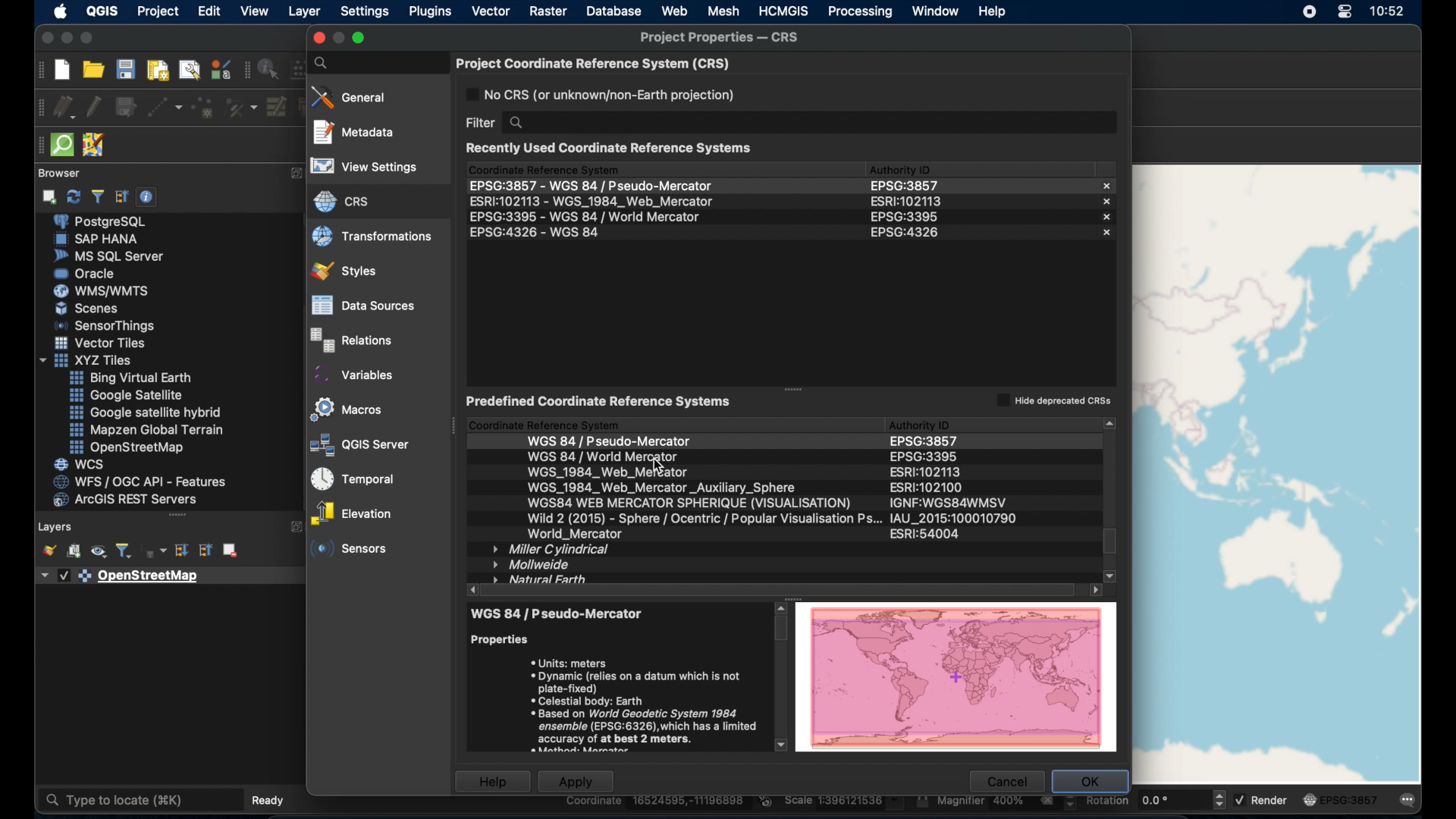 The width and height of the screenshot is (1456, 819). What do you see at coordinates (562, 613) in the screenshot?
I see `wsg 84/ pseudo-mercator` at bounding box center [562, 613].